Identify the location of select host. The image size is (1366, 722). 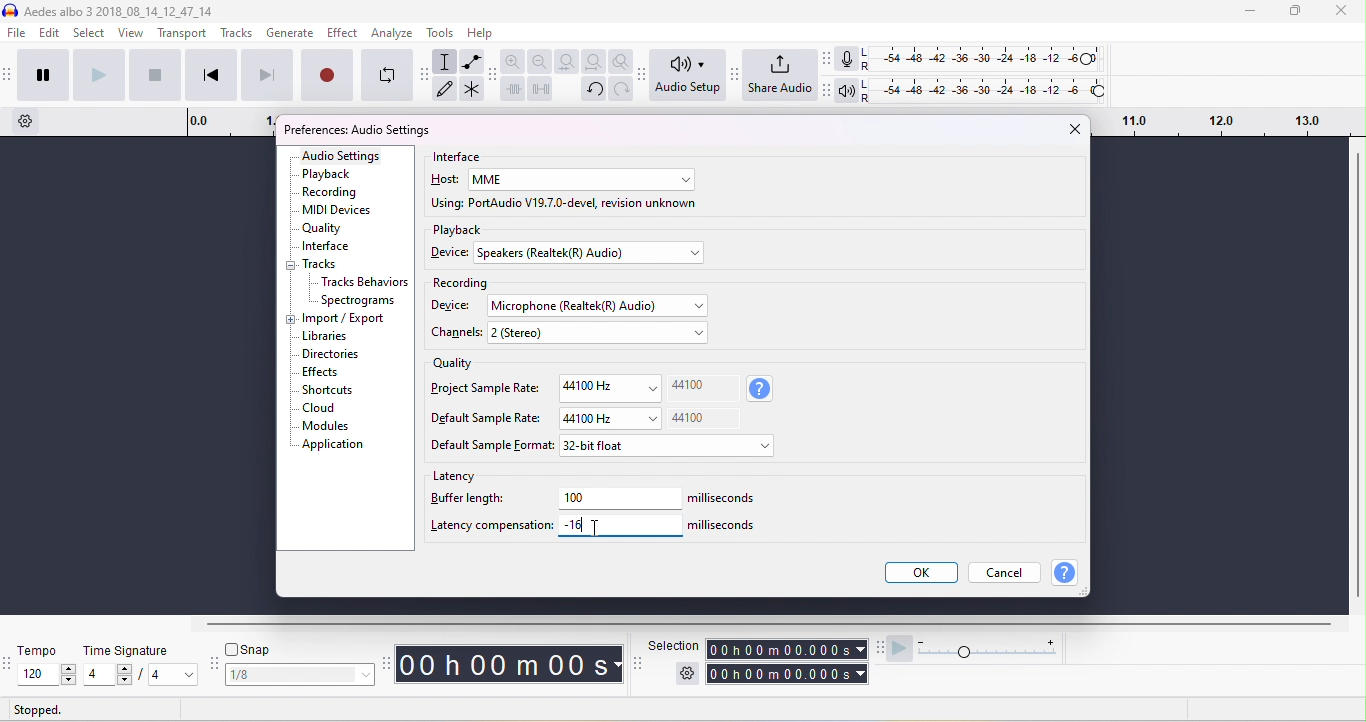
(581, 180).